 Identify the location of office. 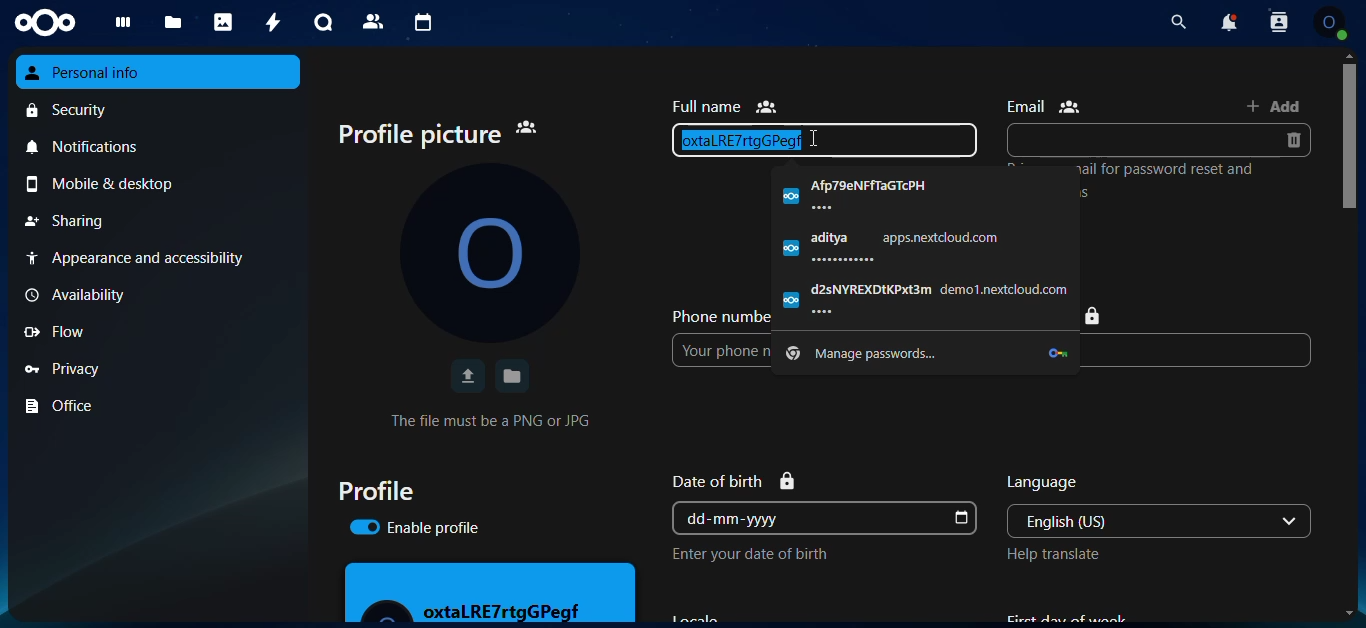
(160, 406).